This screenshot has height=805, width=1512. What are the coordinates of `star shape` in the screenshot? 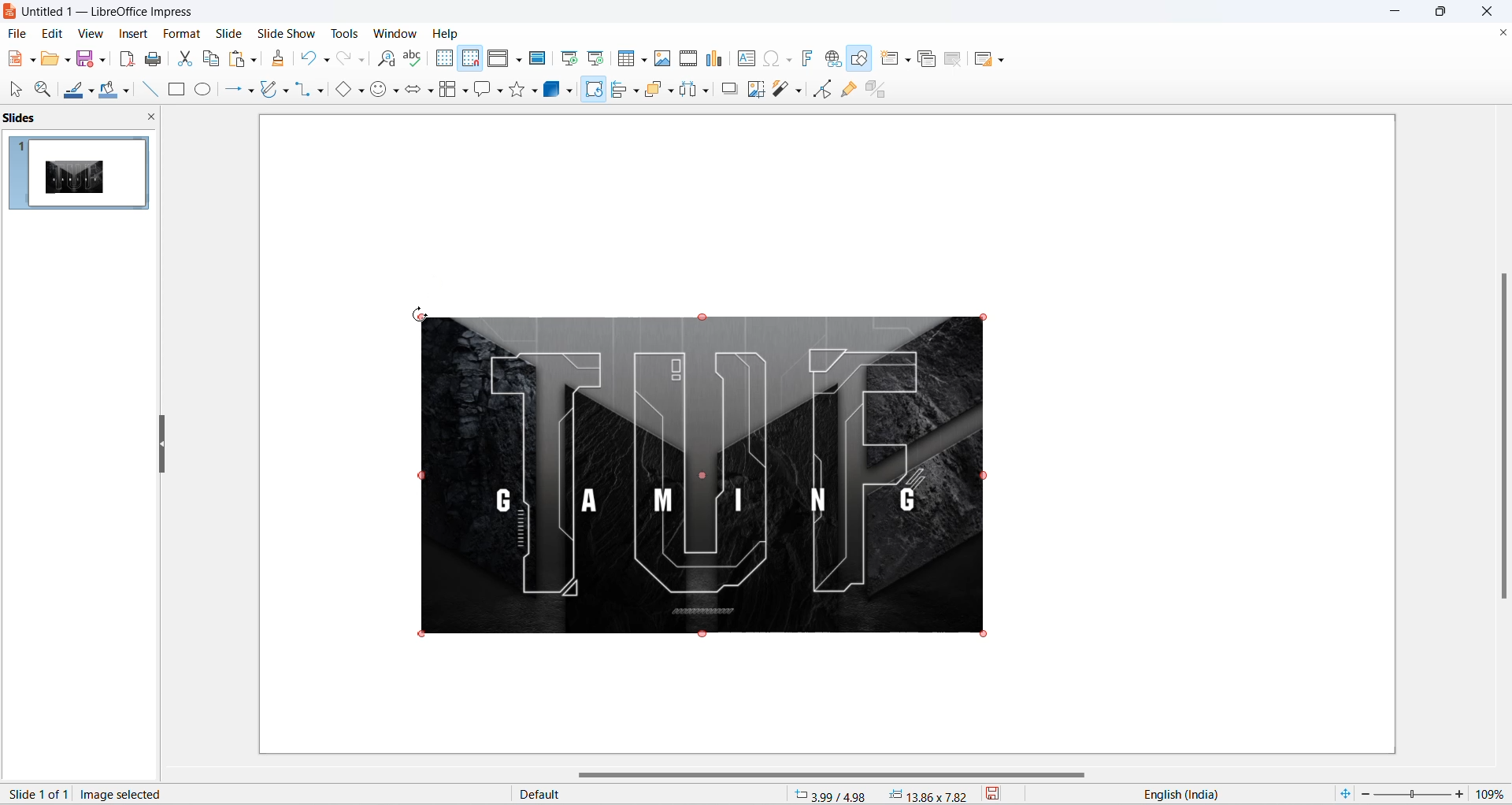 It's located at (517, 90).